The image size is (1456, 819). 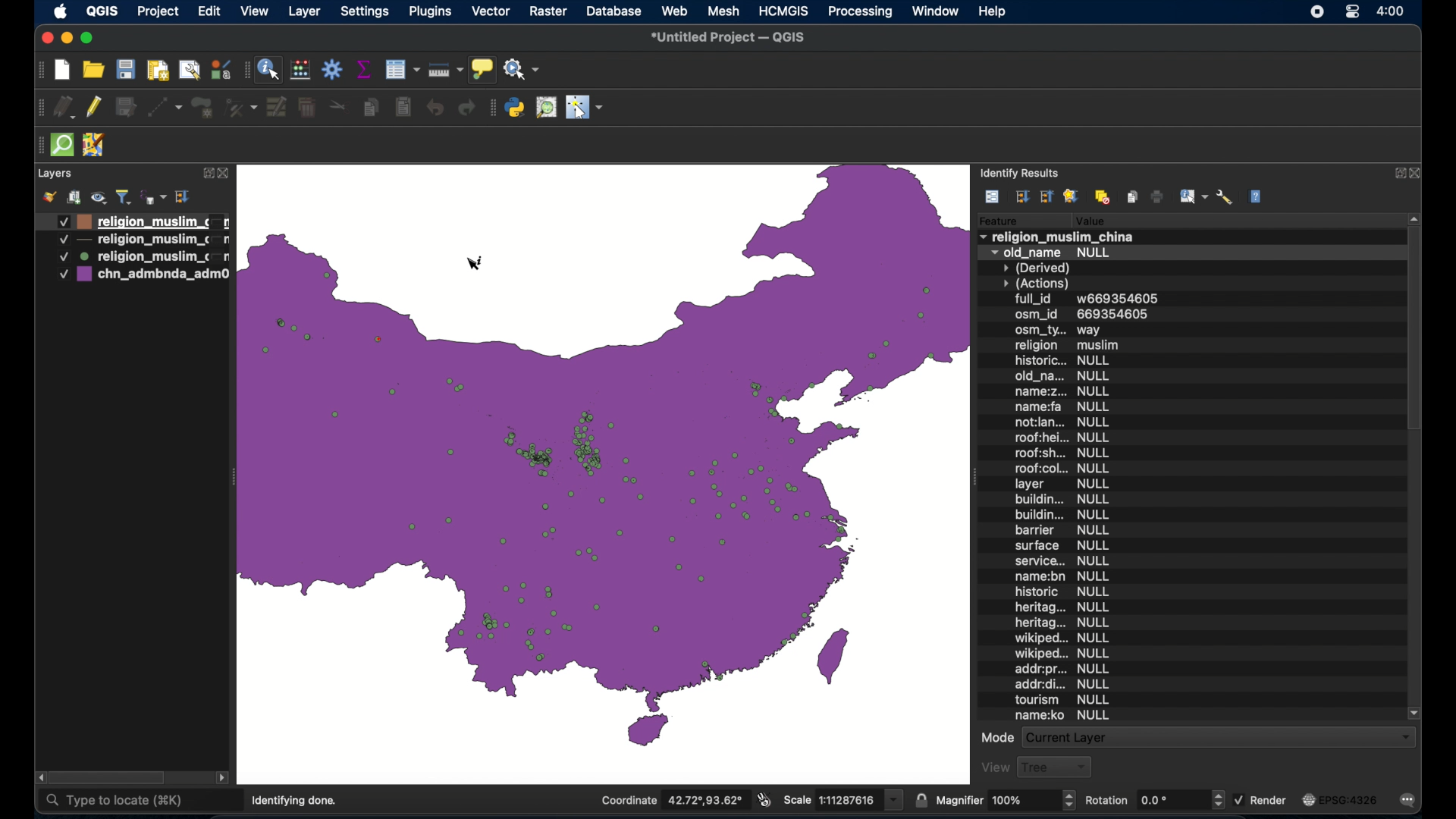 What do you see at coordinates (404, 70) in the screenshot?
I see `open attribute table` at bounding box center [404, 70].